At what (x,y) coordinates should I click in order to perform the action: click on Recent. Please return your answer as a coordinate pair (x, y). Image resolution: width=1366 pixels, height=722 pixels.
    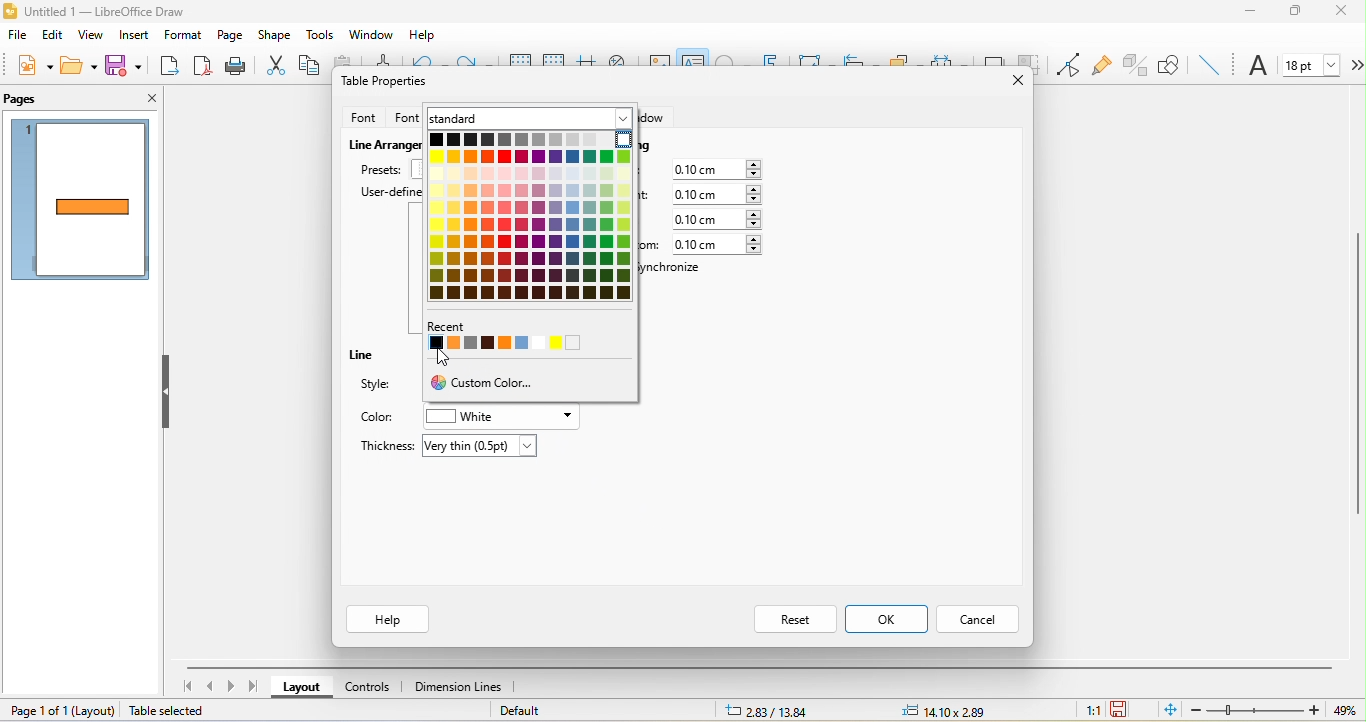
    Looking at the image, I should click on (446, 326).